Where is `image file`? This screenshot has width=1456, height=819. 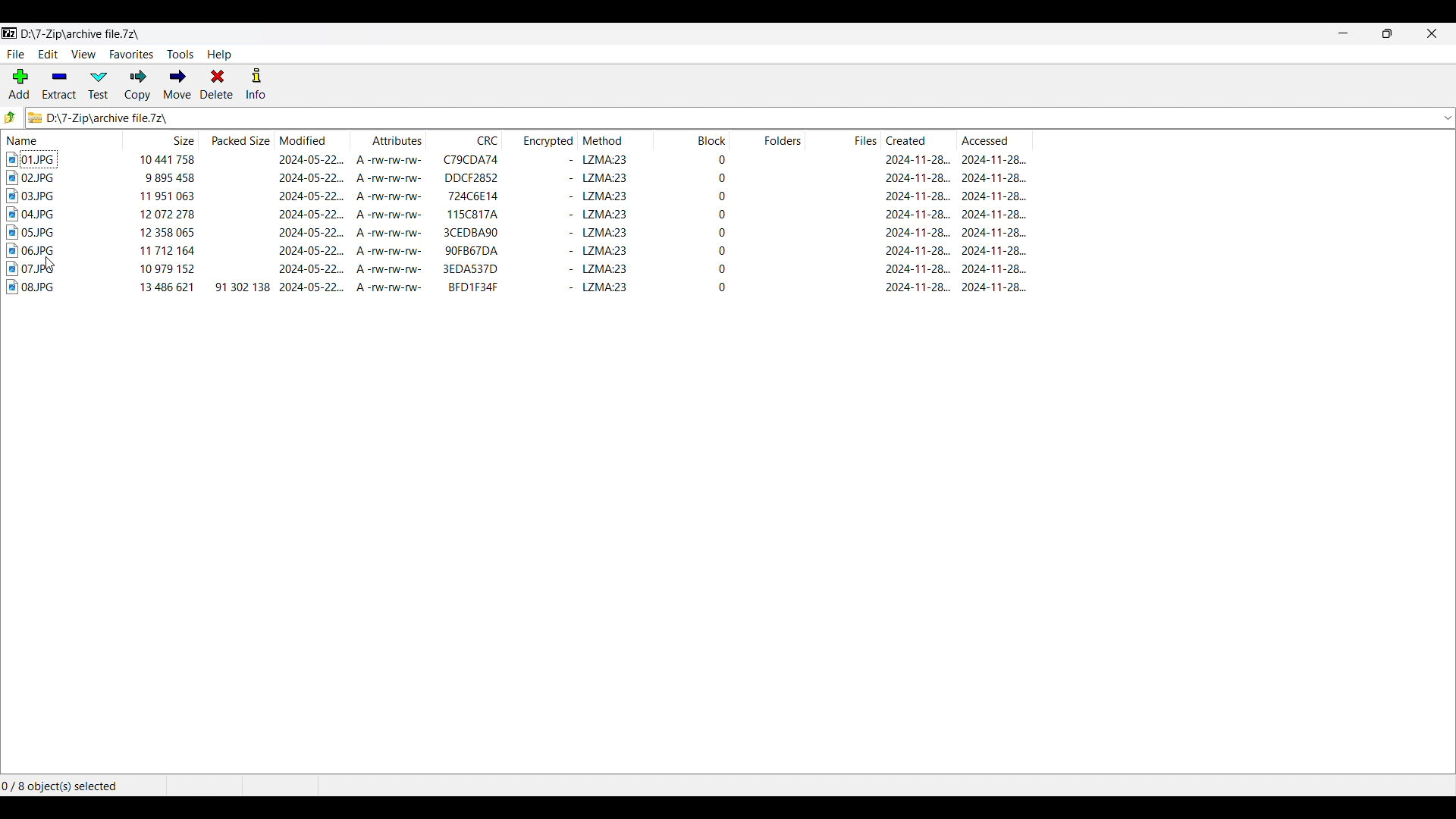
image file is located at coordinates (31, 287).